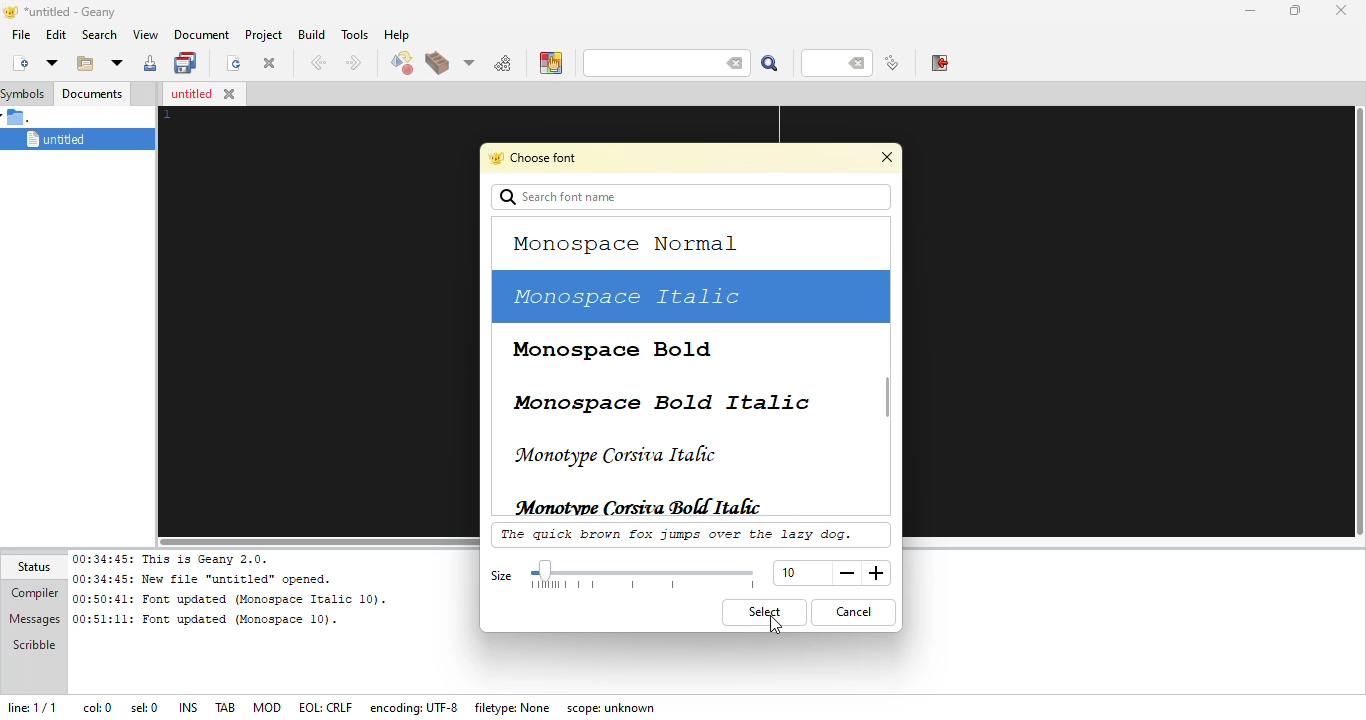 Image resolution: width=1366 pixels, height=720 pixels. Describe the element at coordinates (467, 62) in the screenshot. I see `choose more` at that location.